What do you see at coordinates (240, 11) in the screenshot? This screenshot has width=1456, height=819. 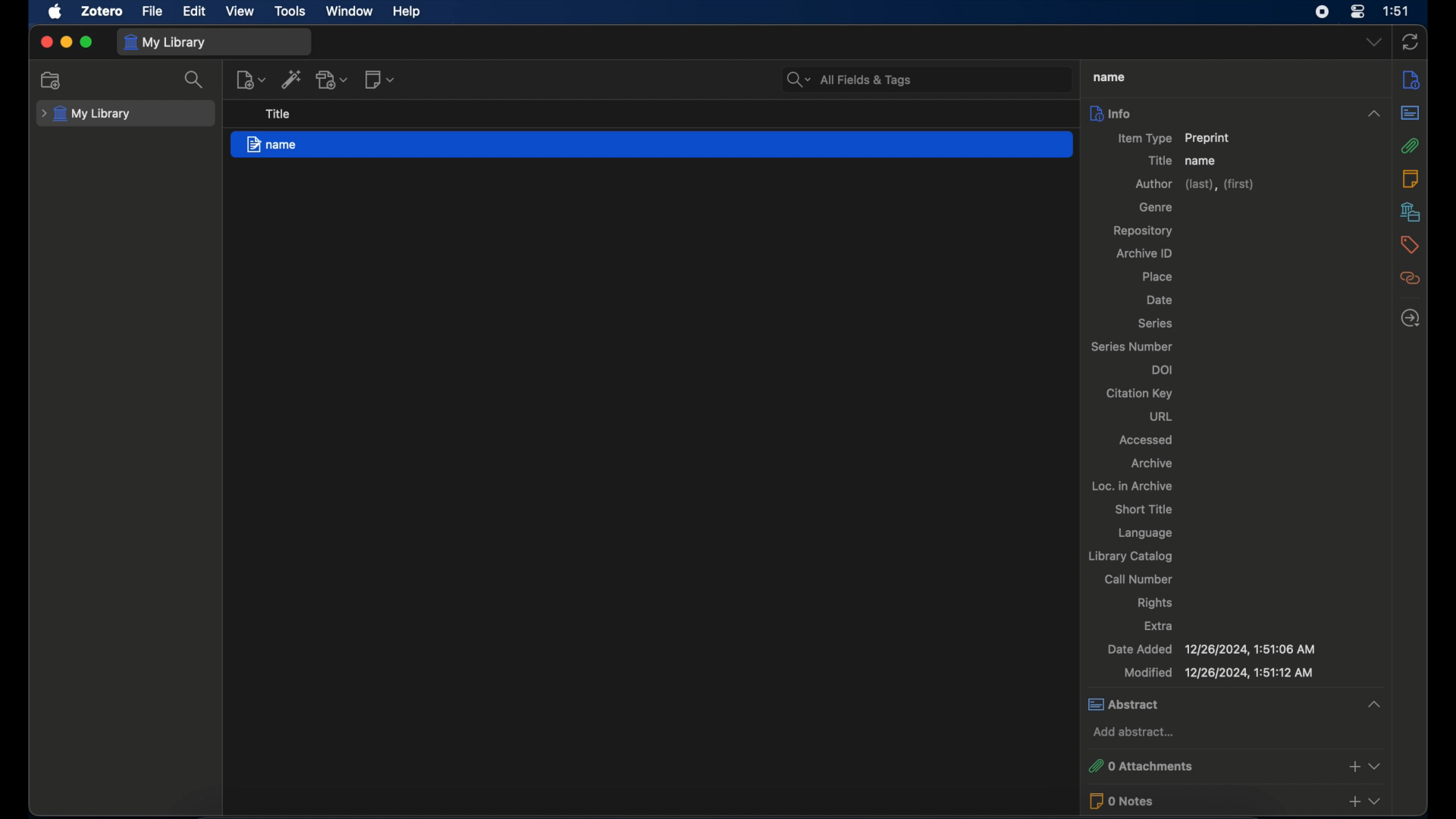 I see `view` at bounding box center [240, 11].